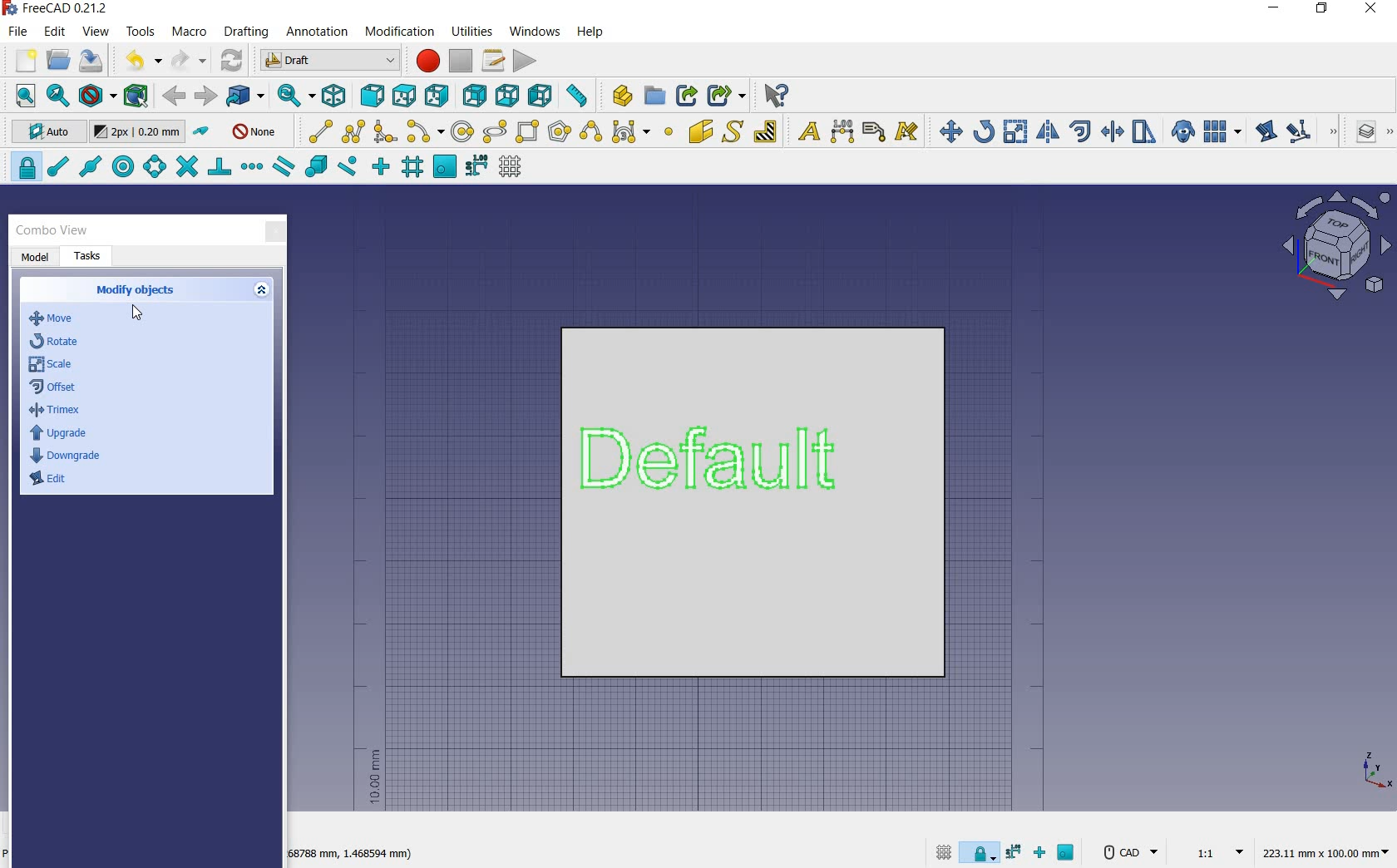 This screenshot has height=868, width=1397. What do you see at coordinates (57, 167) in the screenshot?
I see `snap endpoint` at bounding box center [57, 167].